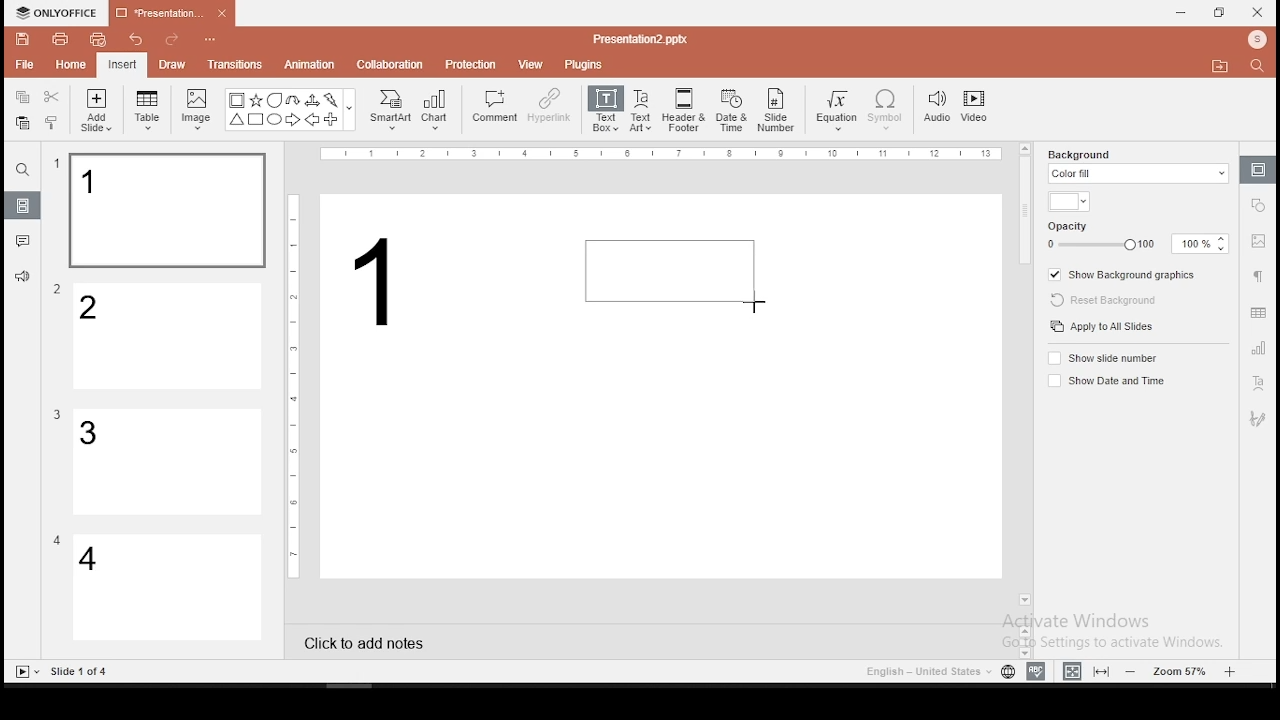 The width and height of the screenshot is (1280, 720). I want to click on draw, so click(173, 64).